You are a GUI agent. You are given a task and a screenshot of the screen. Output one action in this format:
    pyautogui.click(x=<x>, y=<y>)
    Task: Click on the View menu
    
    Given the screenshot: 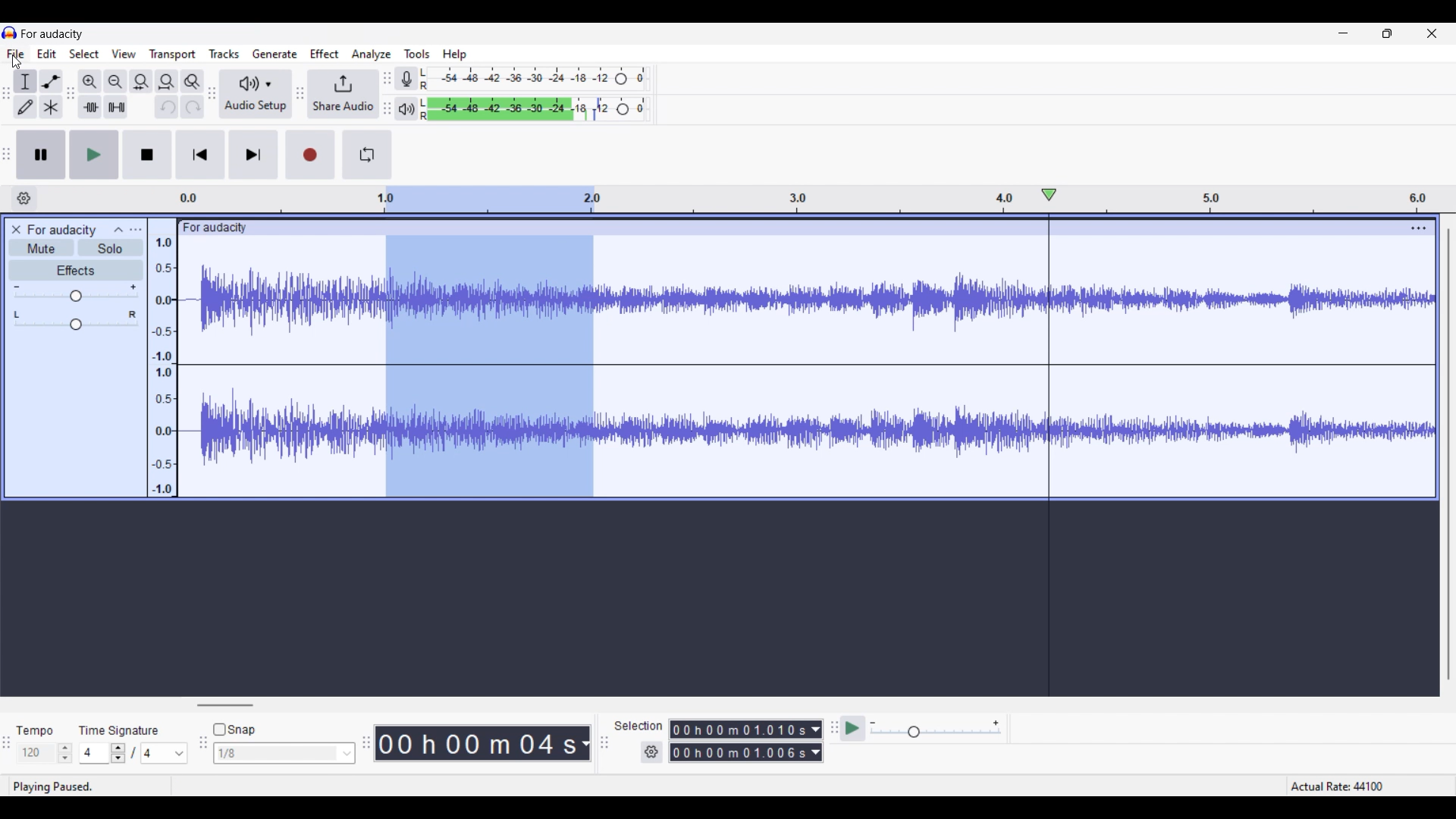 What is the action you would take?
    pyautogui.click(x=124, y=53)
    